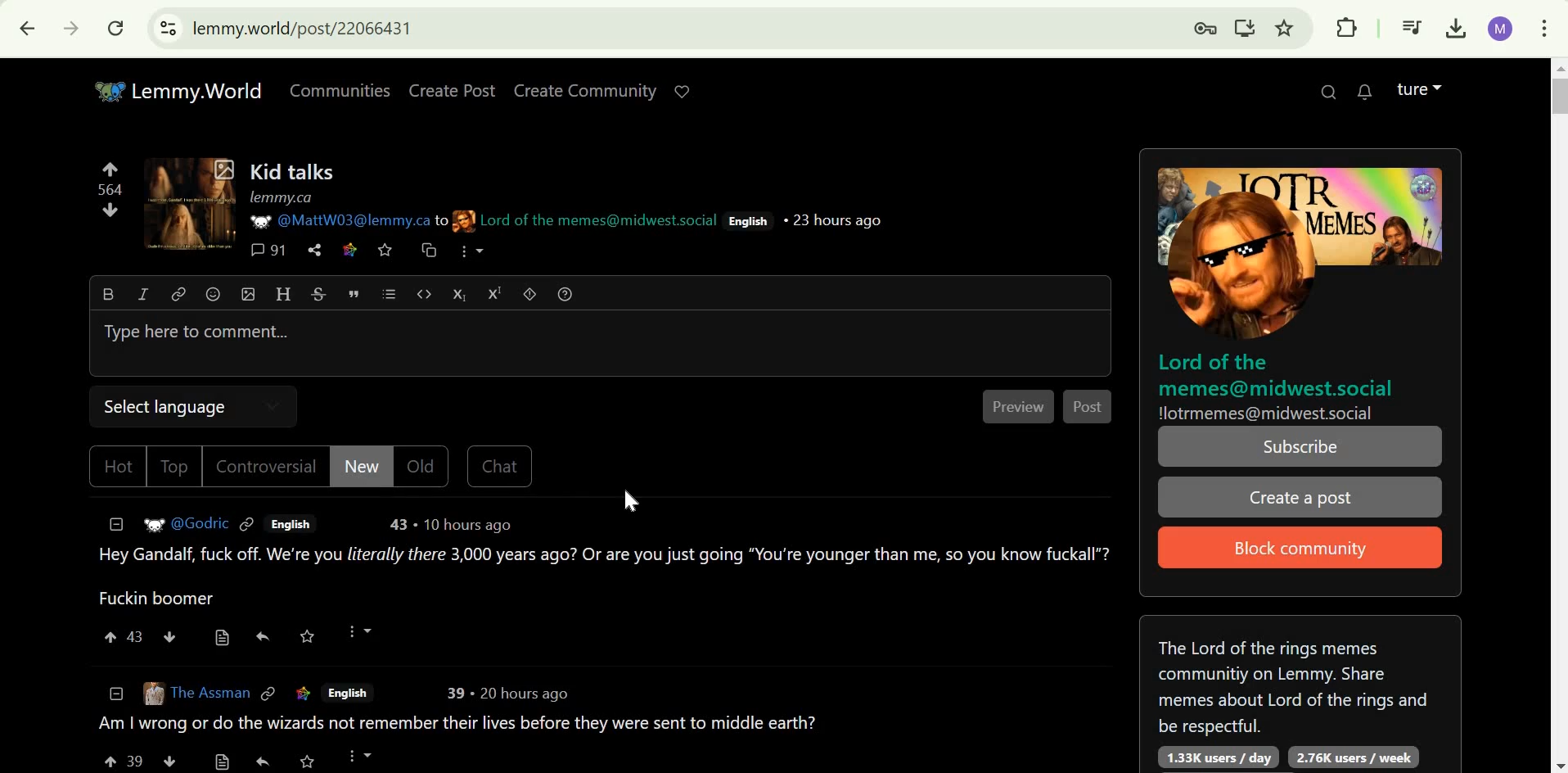  What do you see at coordinates (257, 220) in the screenshot?
I see `picture` at bounding box center [257, 220].